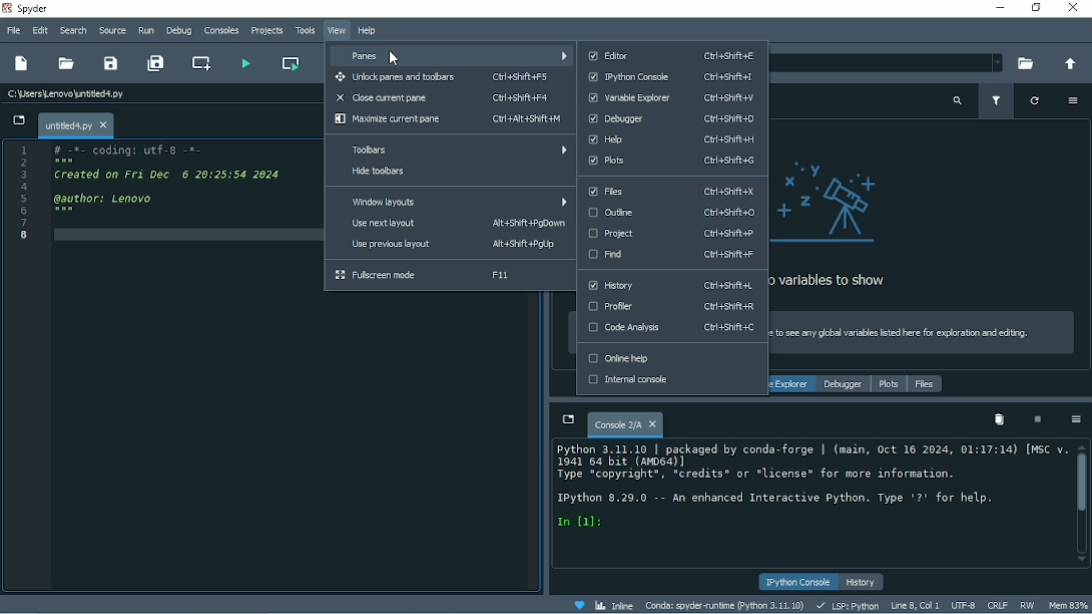 The height and width of the screenshot is (614, 1092). Describe the element at coordinates (1038, 419) in the screenshot. I see `Interrupt kernel` at that location.